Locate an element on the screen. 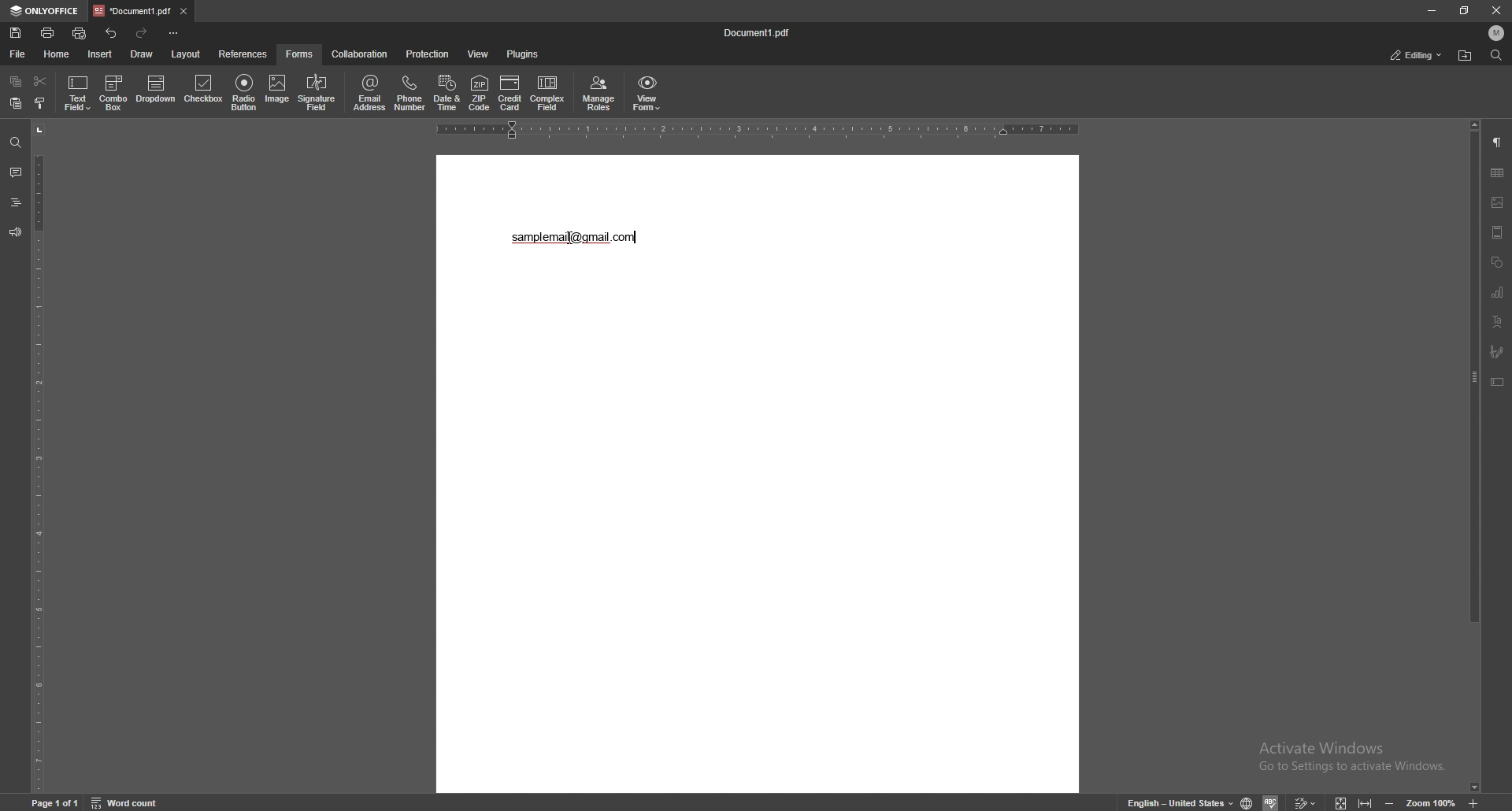 The image size is (1512, 811). copy style is located at coordinates (39, 104).